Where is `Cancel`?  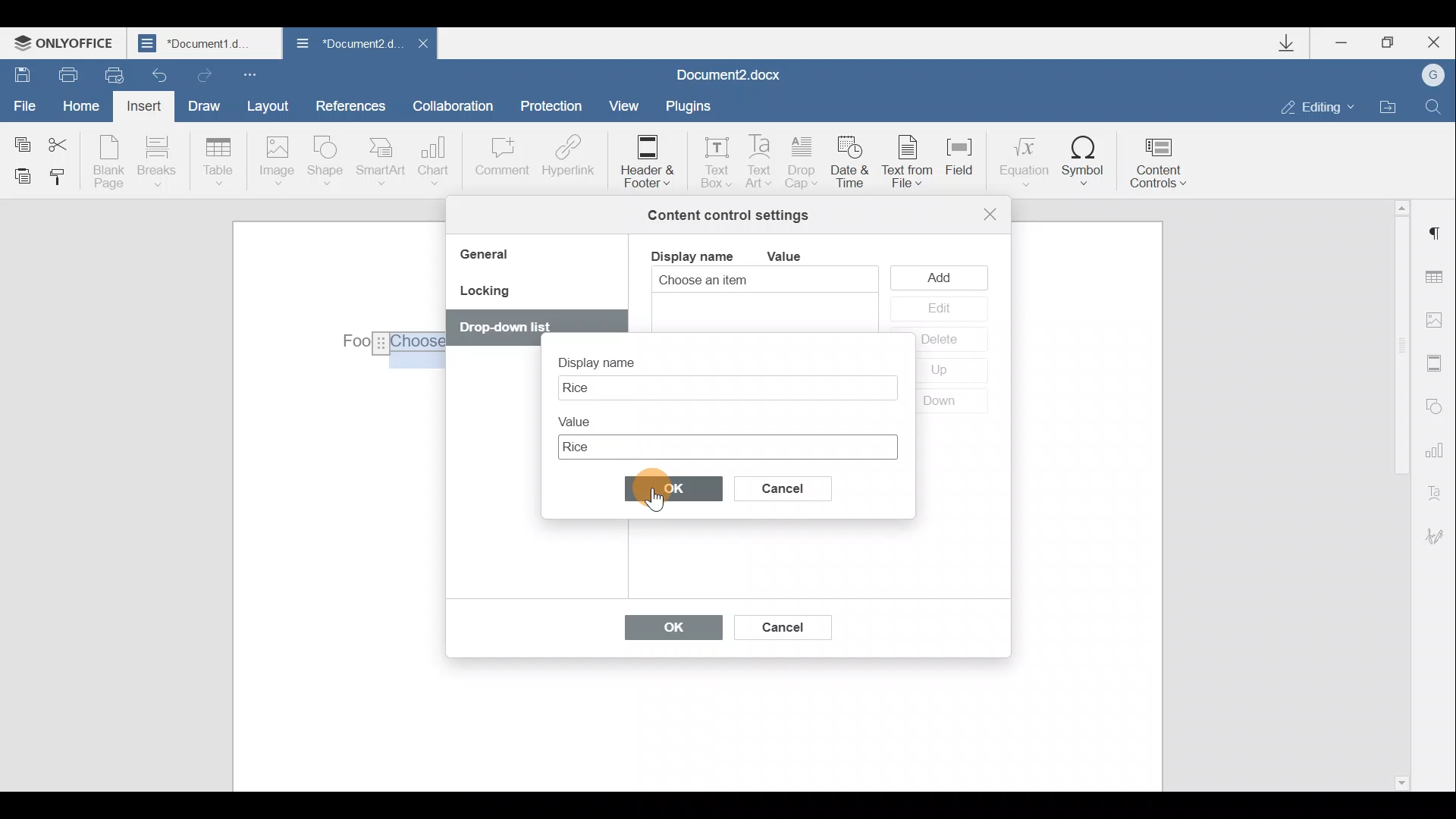 Cancel is located at coordinates (795, 485).